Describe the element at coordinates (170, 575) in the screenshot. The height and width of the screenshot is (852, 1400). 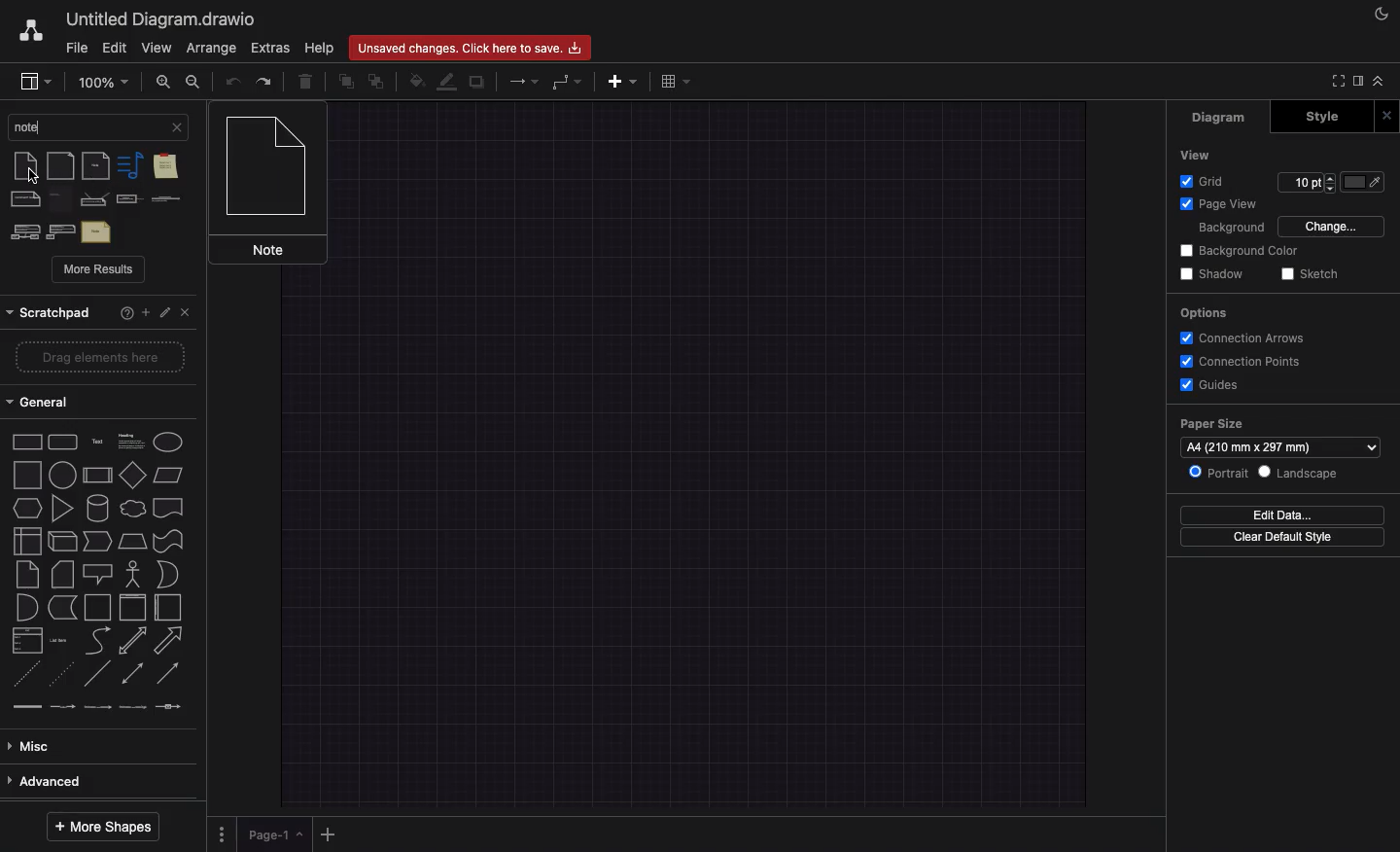
I see `and` at that location.